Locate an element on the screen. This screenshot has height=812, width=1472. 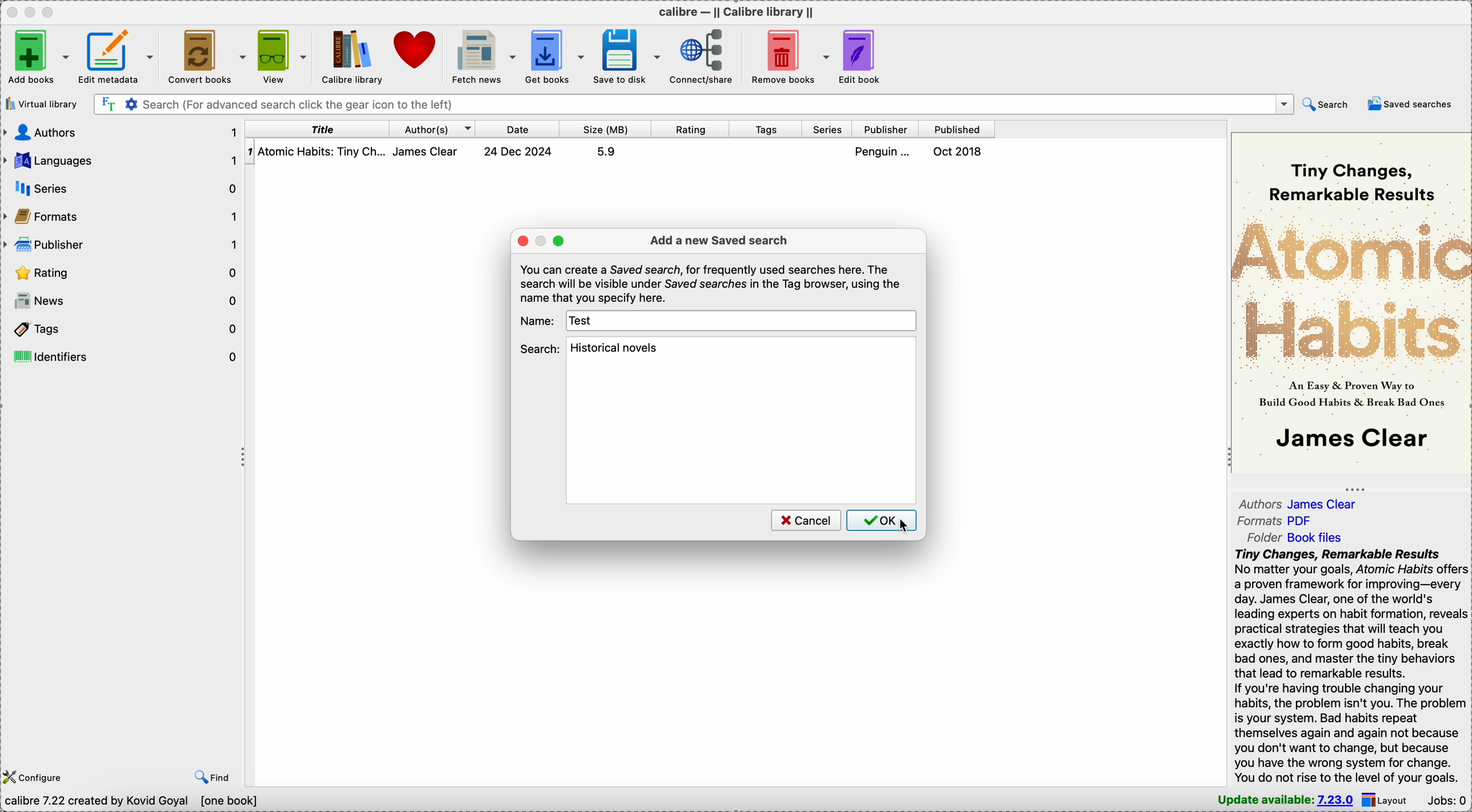
series is located at coordinates (127, 188).